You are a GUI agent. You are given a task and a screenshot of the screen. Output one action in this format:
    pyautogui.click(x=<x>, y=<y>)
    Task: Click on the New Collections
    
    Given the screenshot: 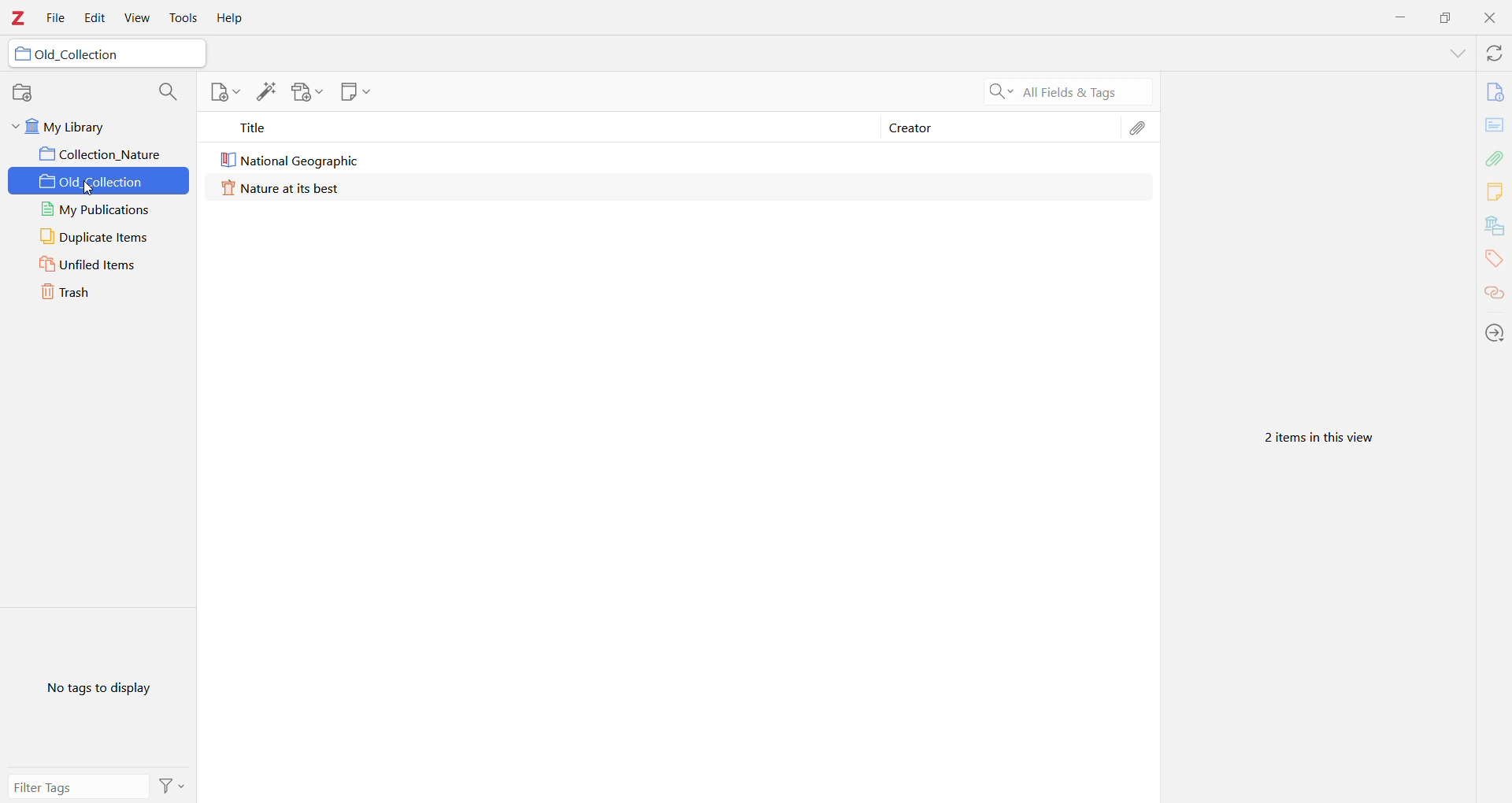 What is the action you would take?
    pyautogui.click(x=24, y=91)
    